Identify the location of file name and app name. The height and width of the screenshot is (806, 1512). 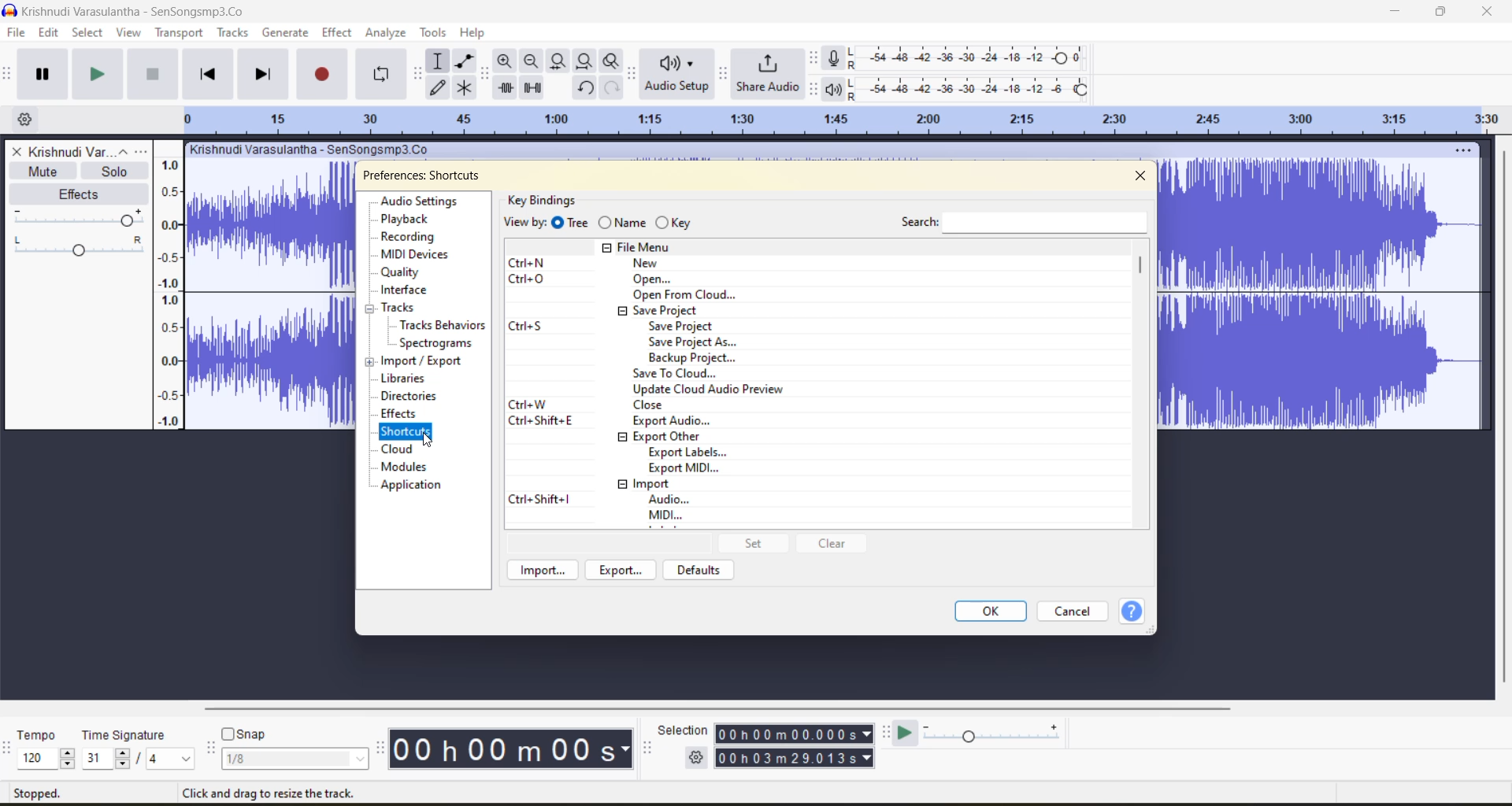
(132, 10).